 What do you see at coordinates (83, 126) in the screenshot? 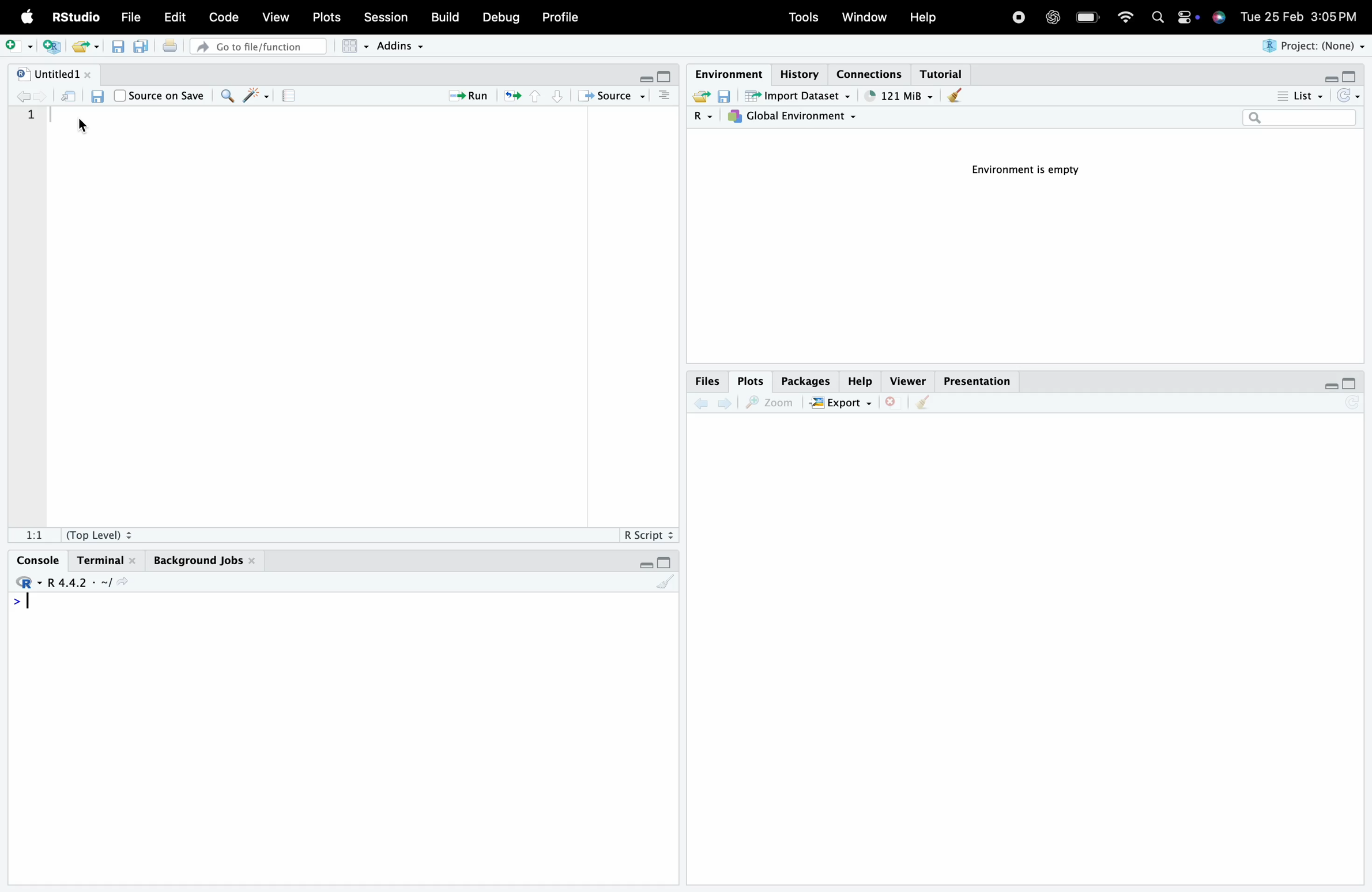
I see `Cursor` at bounding box center [83, 126].